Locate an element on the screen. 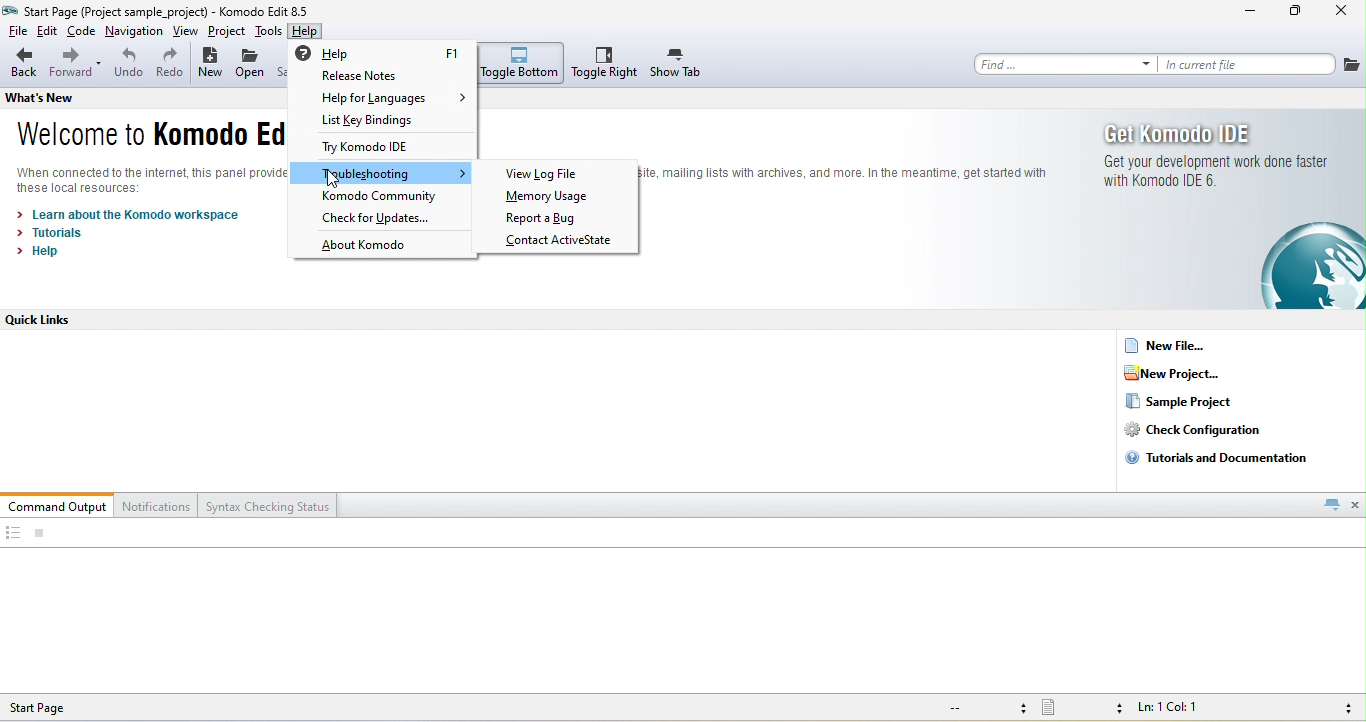  help for languages is located at coordinates (394, 98).